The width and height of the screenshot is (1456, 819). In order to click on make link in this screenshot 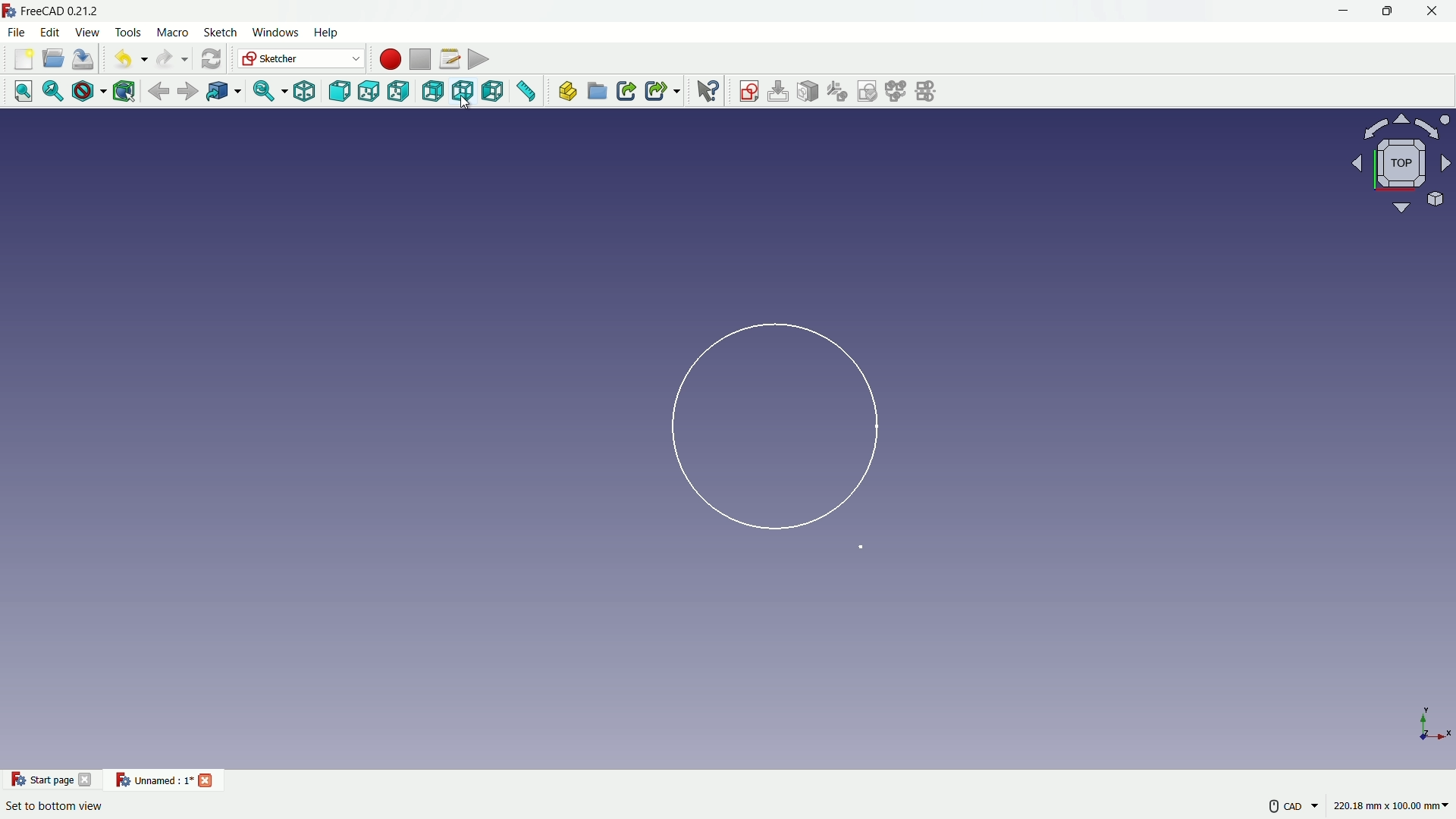, I will do `click(626, 93)`.